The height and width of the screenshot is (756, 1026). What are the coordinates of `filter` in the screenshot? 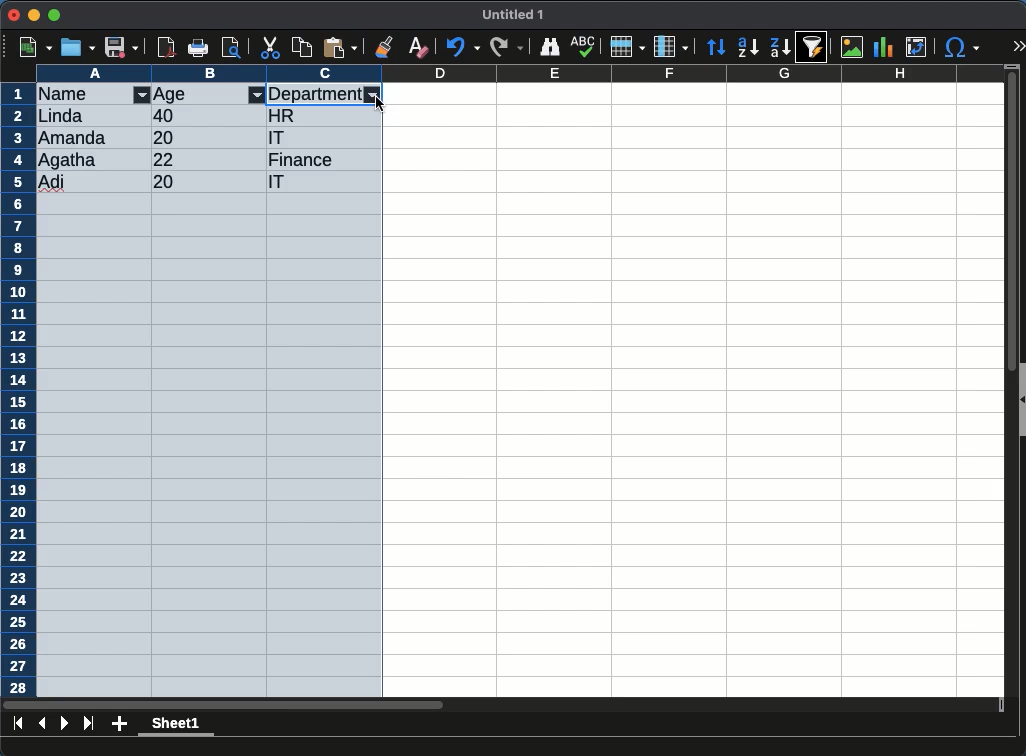 It's located at (257, 95).